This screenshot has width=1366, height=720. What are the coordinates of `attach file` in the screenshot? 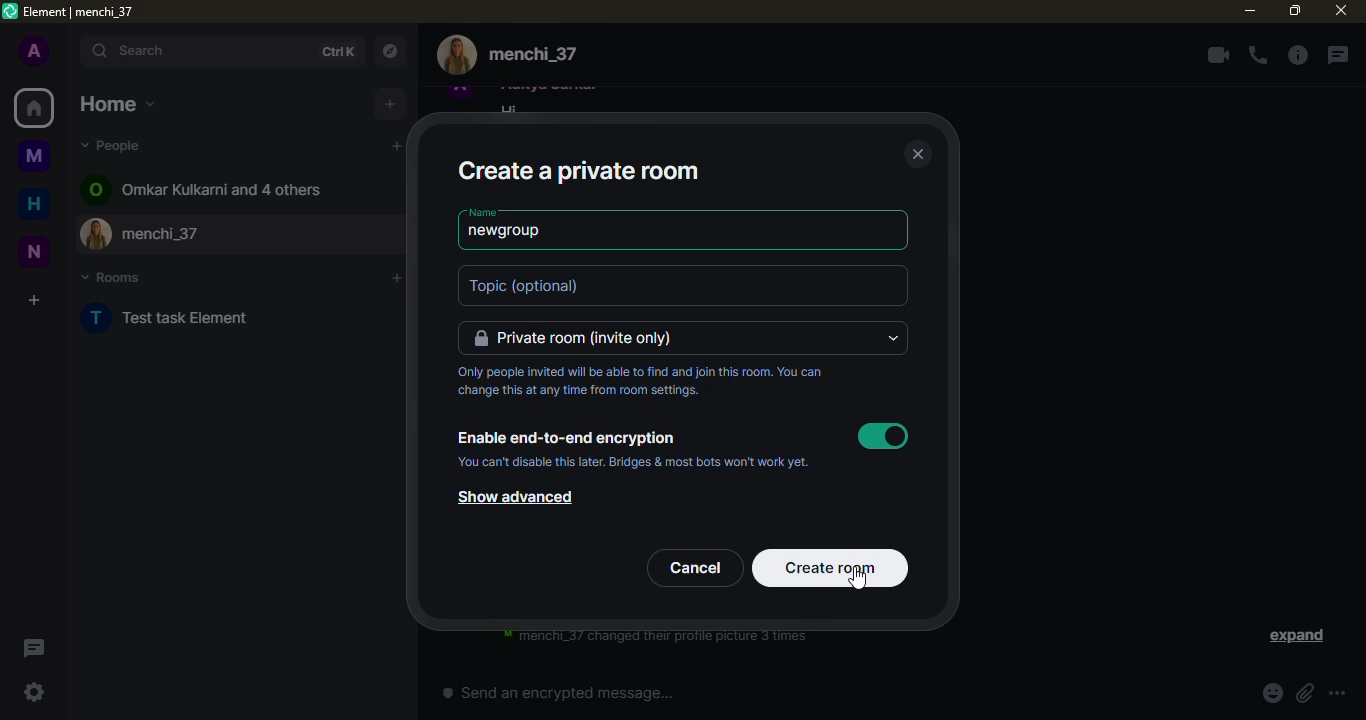 It's located at (1305, 693).